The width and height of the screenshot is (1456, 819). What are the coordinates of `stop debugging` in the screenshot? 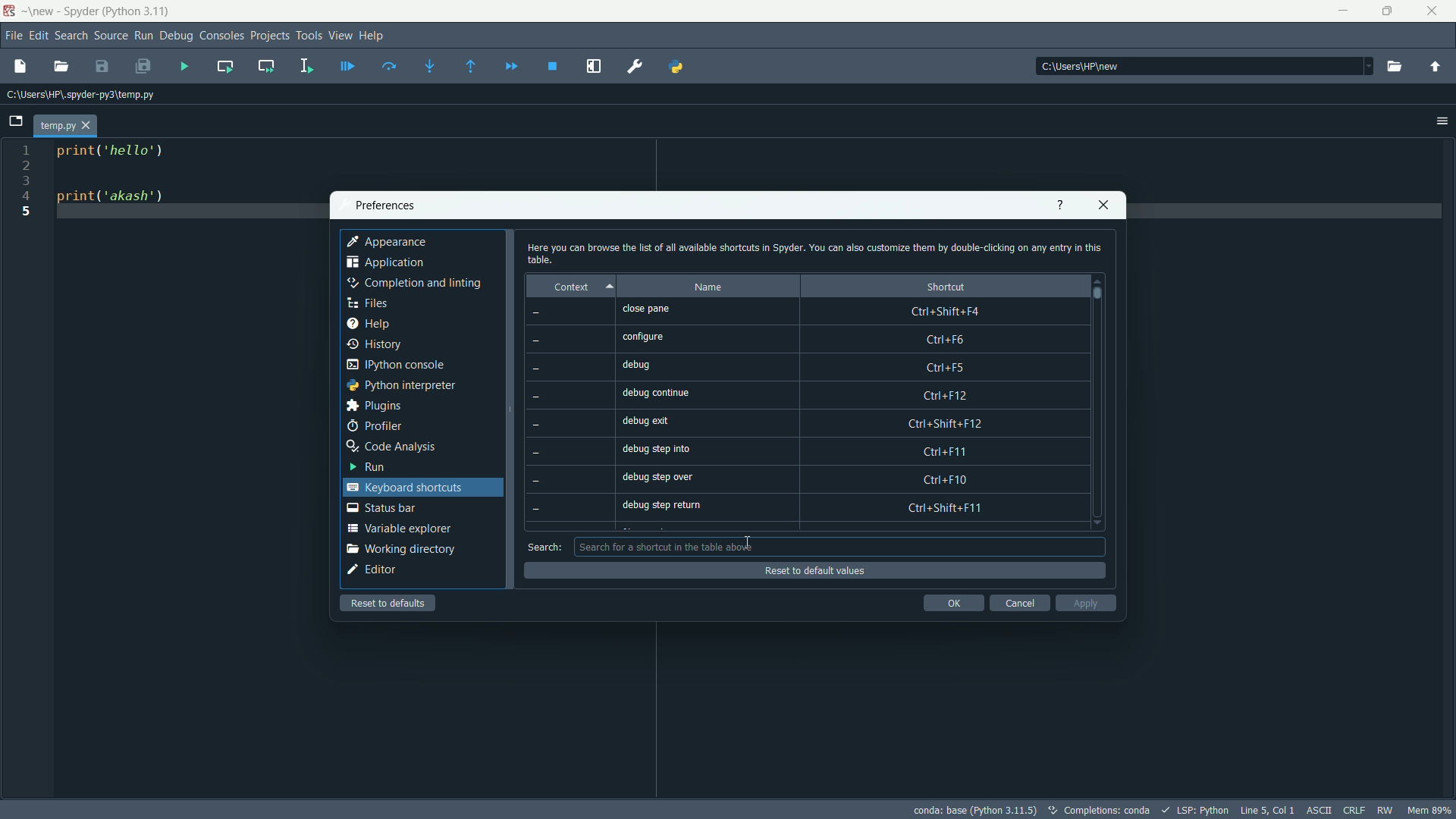 It's located at (554, 67).